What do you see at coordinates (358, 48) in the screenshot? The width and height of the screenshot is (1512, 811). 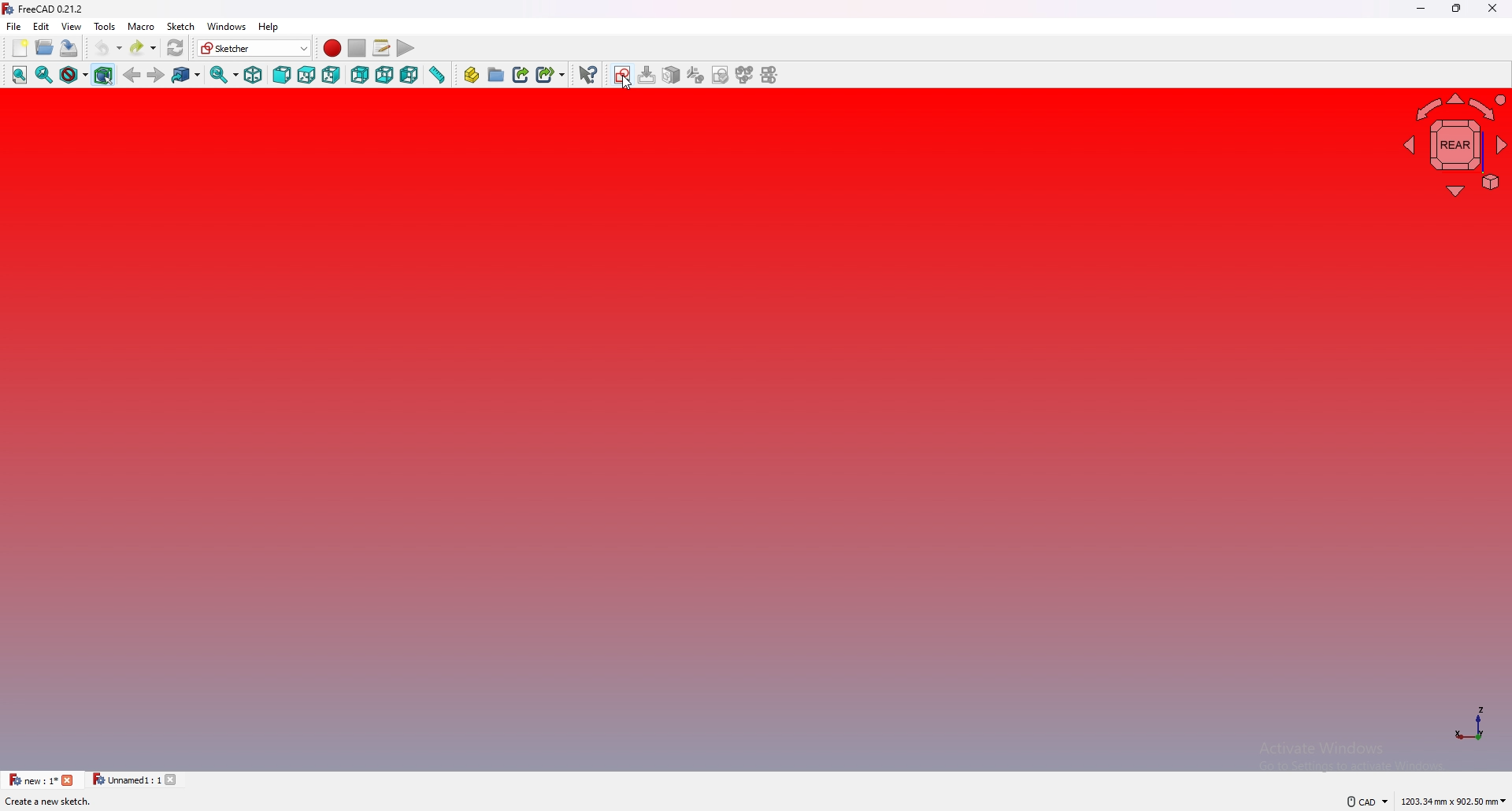 I see `stop macro` at bounding box center [358, 48].